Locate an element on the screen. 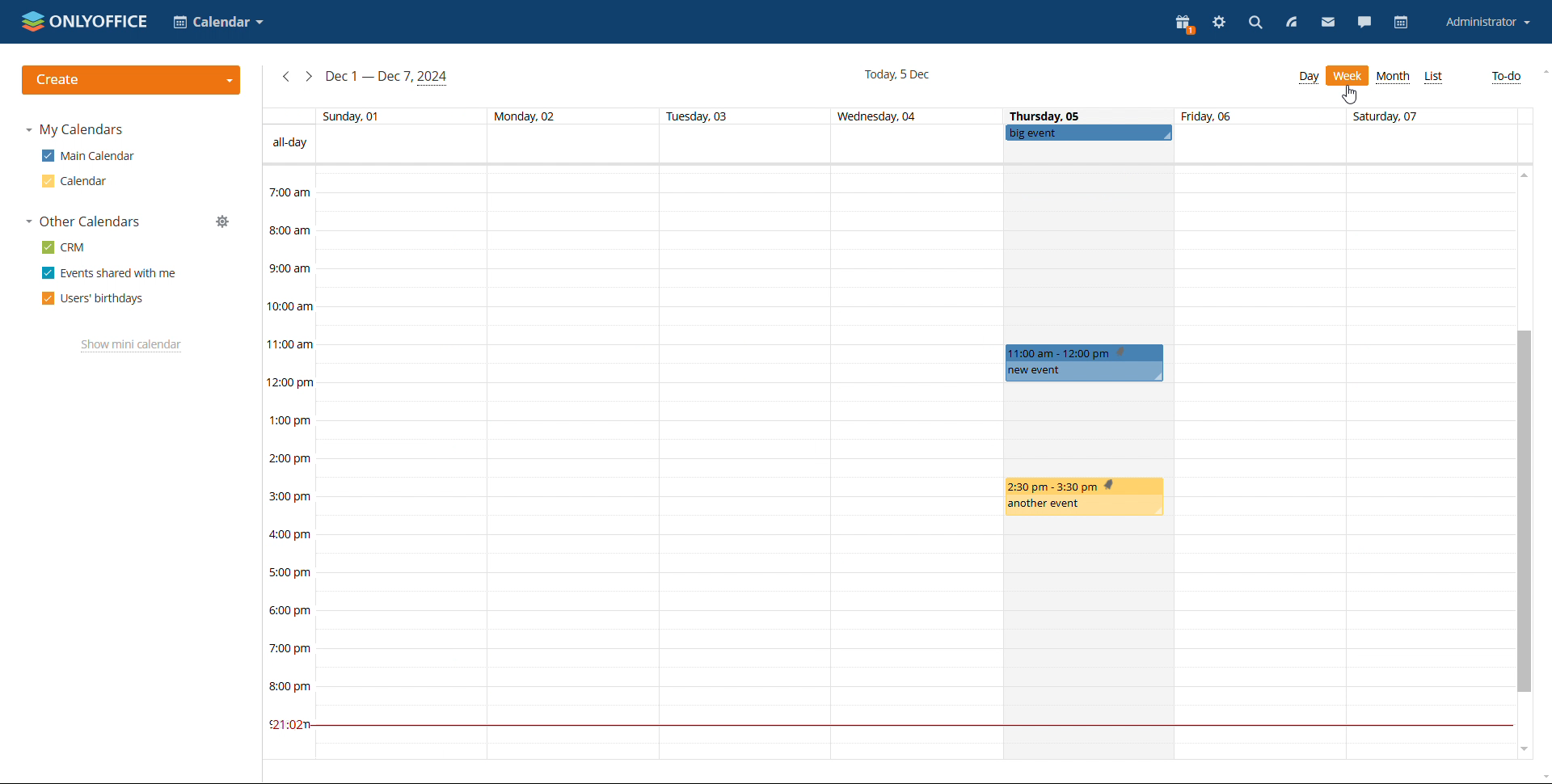  calendar is located at coordinates (74, 181).